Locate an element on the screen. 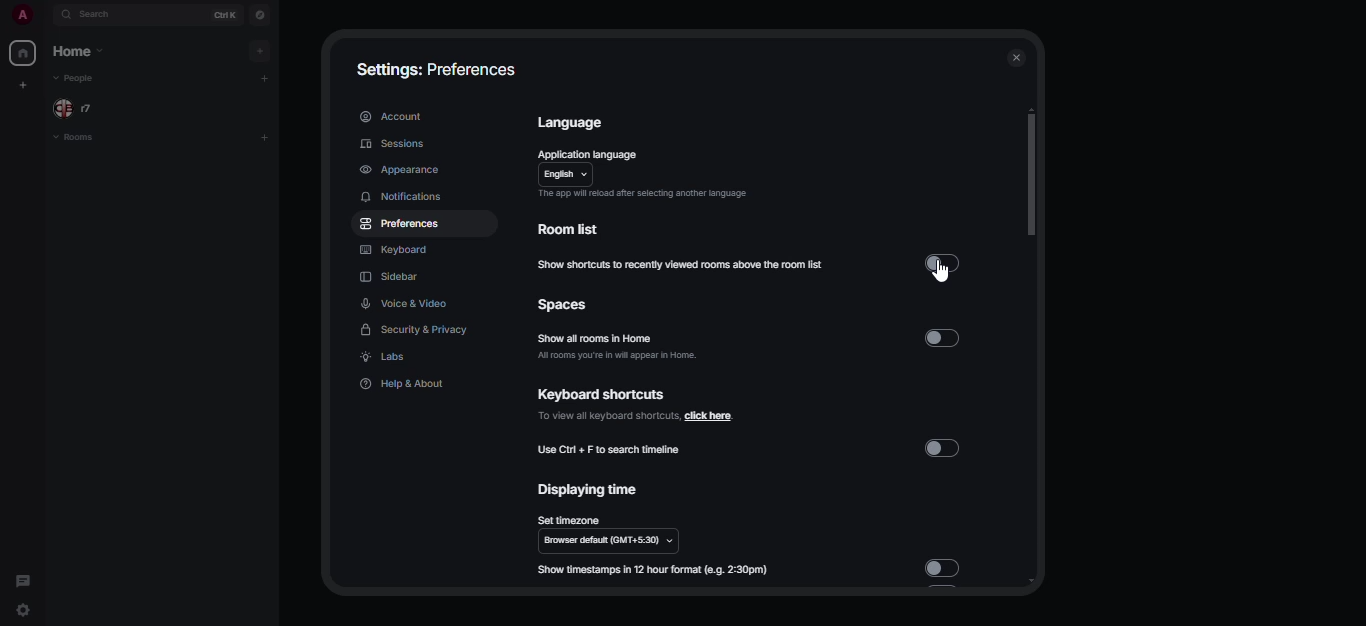 This screenshot has width=1366, height=626. click here is located at coordinates (637, 418).